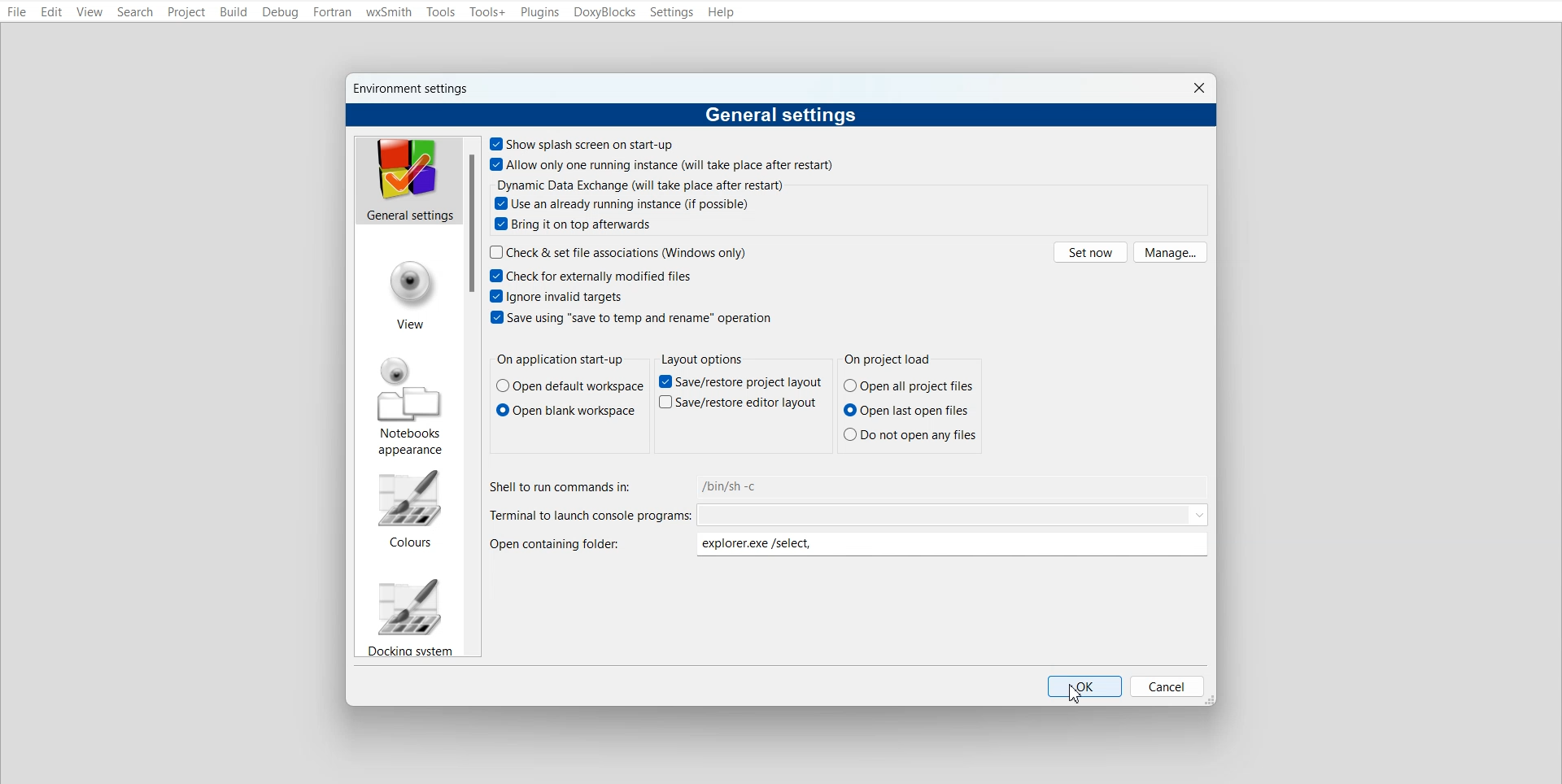 Image resolution: width=1562 pixels, height=784 pixels. What do you see at coordinates (560, 295) in the screenshot?
I see `Ignore invalid Target` at bounding box center [560, 295].